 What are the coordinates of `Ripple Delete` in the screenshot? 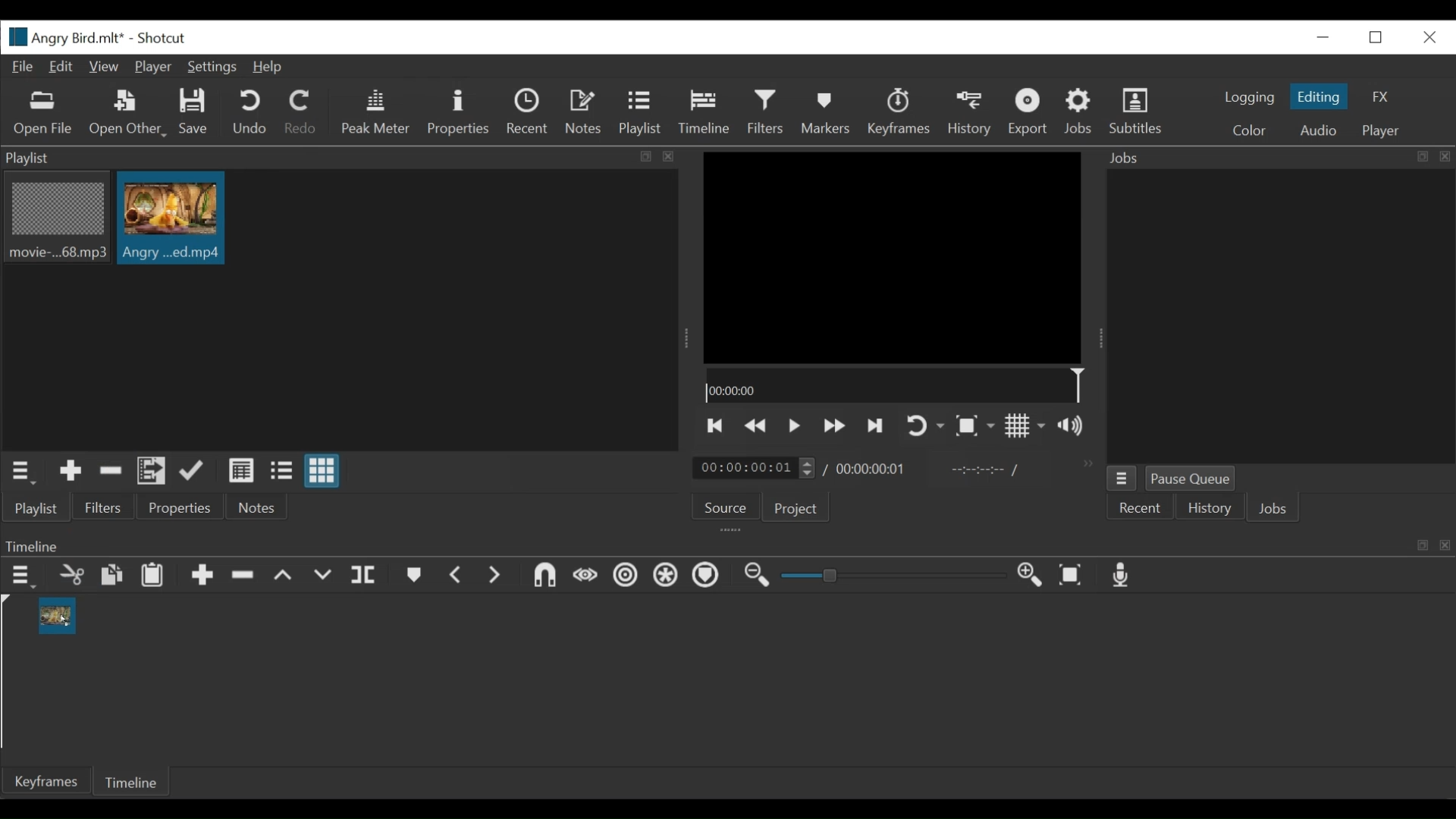 It's located at (243, 576).